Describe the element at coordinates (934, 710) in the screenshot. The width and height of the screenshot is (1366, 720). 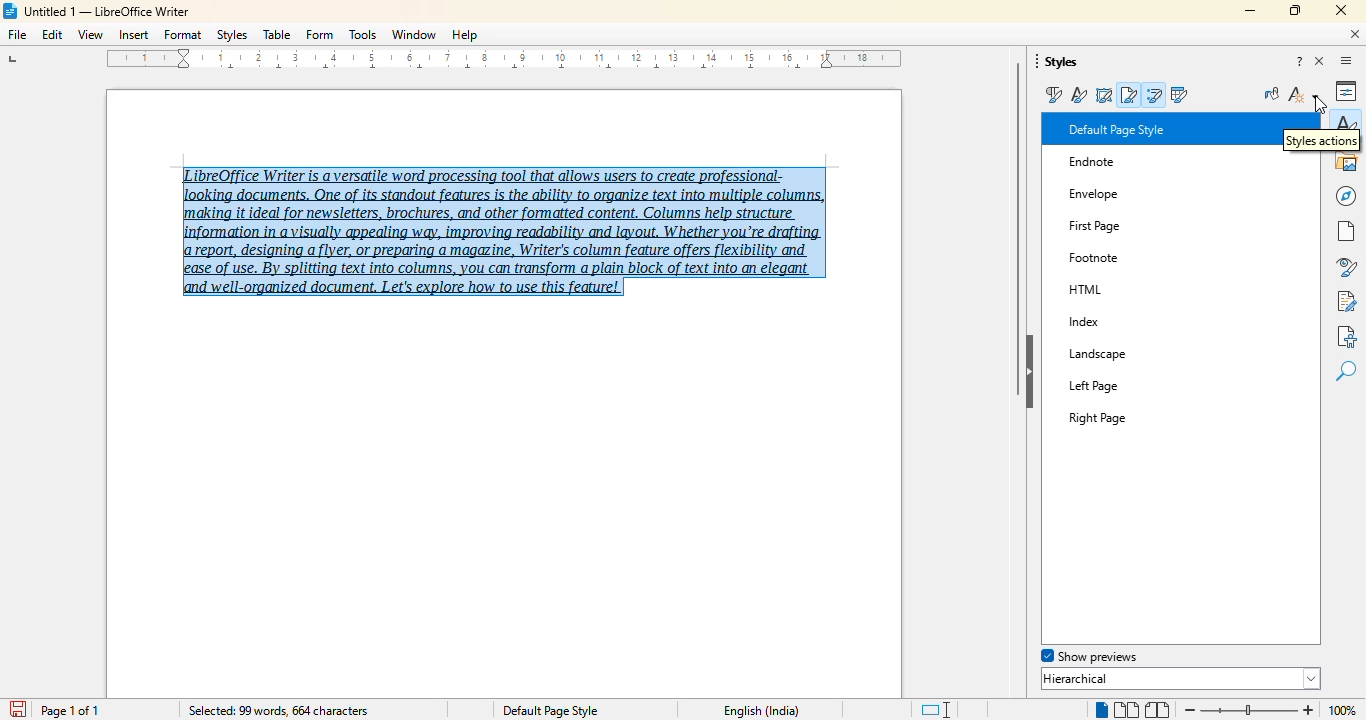
I see `standard selection` at that location.